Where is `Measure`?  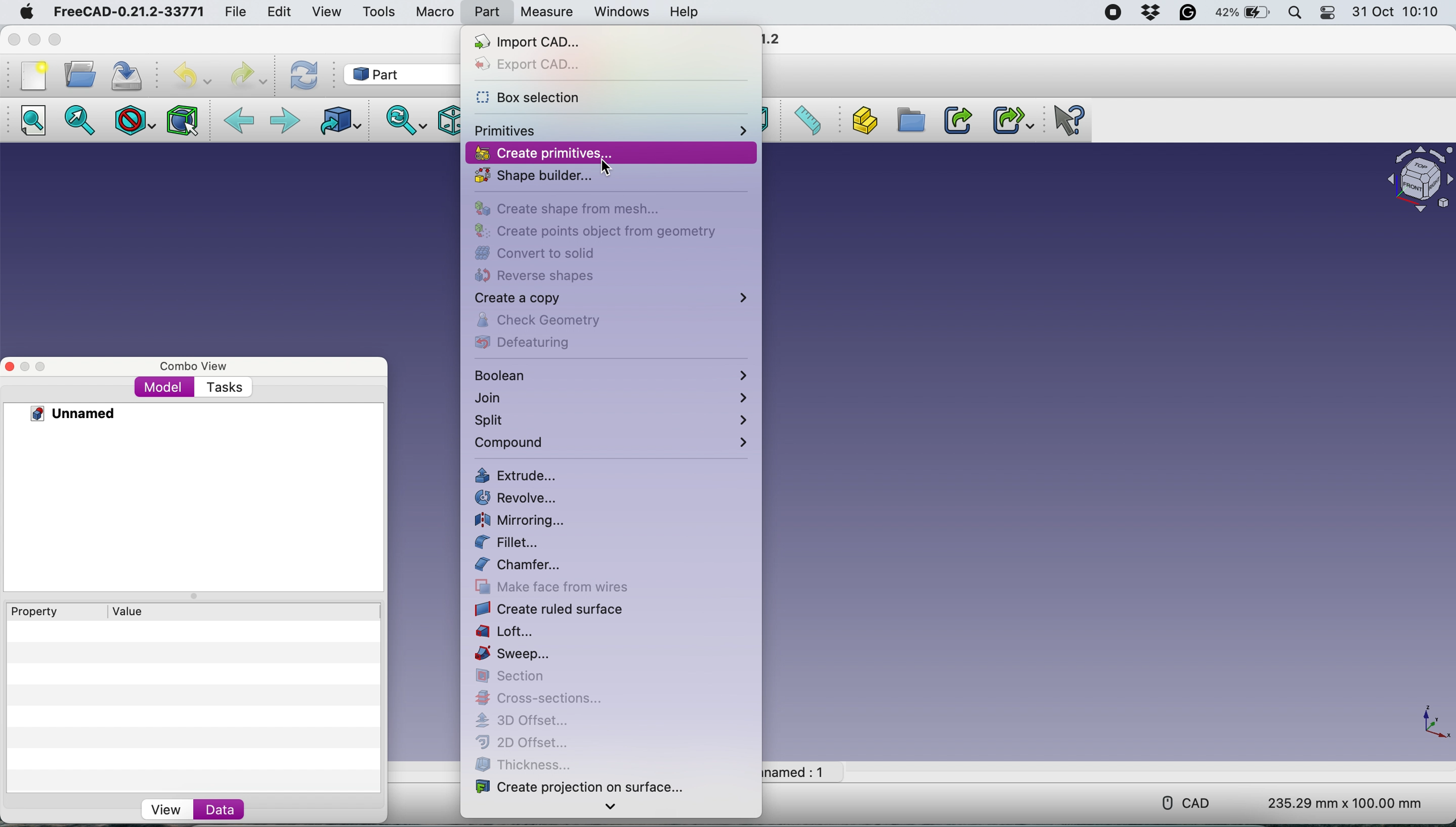
Measure is located at coordinates (546, 12).